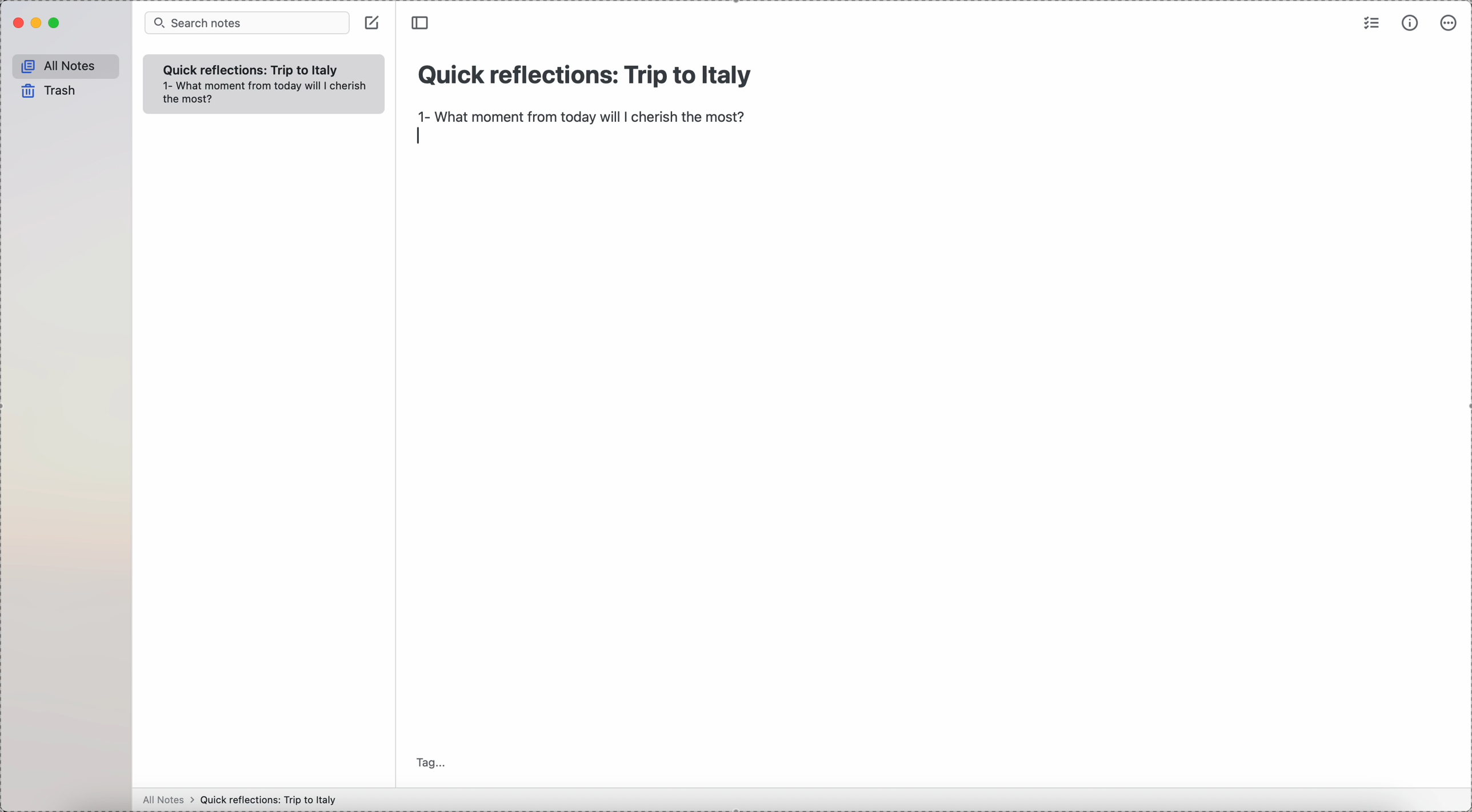 The image size is (1472, 812). I want to click on quick refelection trip to italy, so click(253, 69).